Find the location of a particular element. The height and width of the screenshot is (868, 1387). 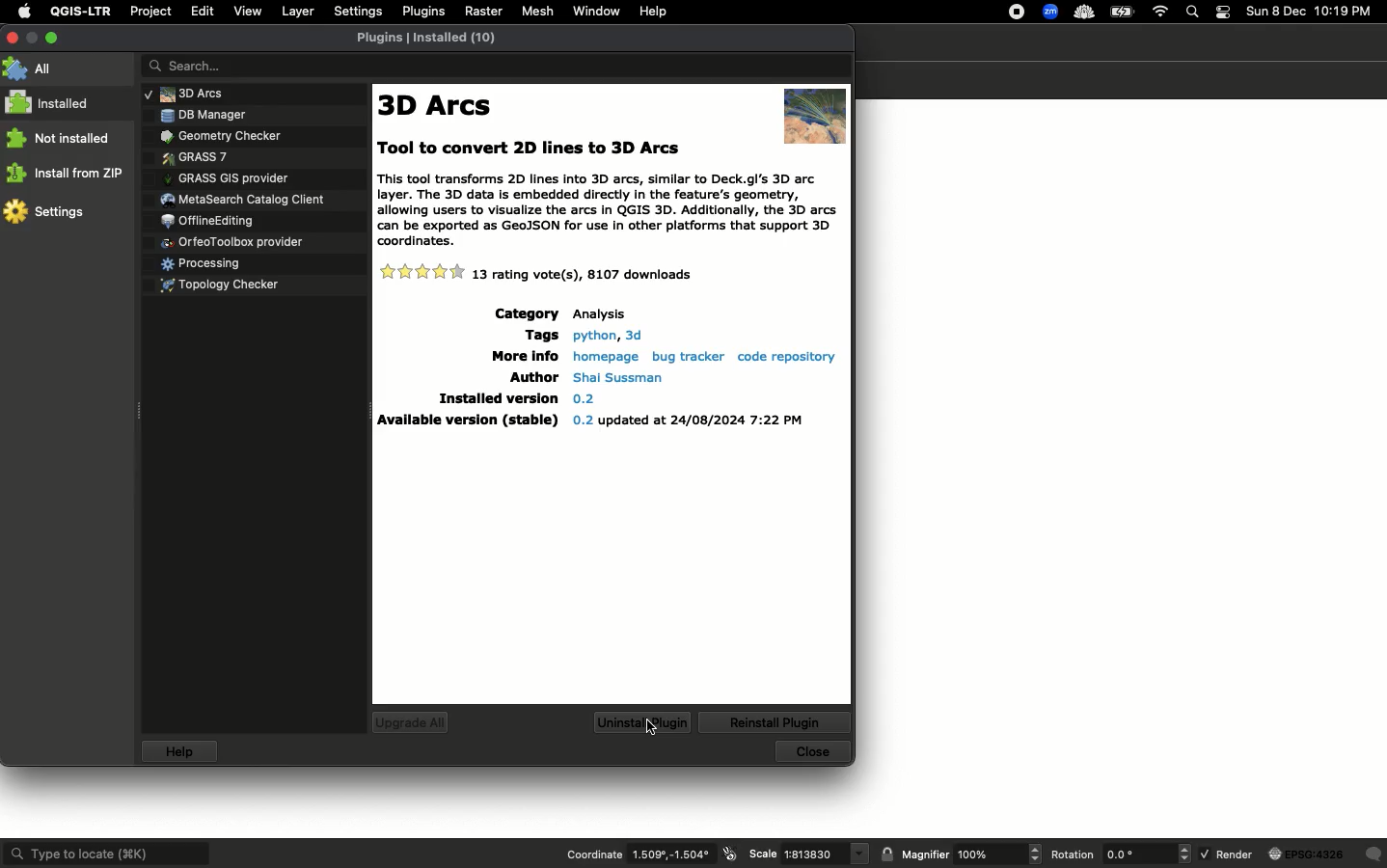

Plugins installed is located at coordinates (430, 36).